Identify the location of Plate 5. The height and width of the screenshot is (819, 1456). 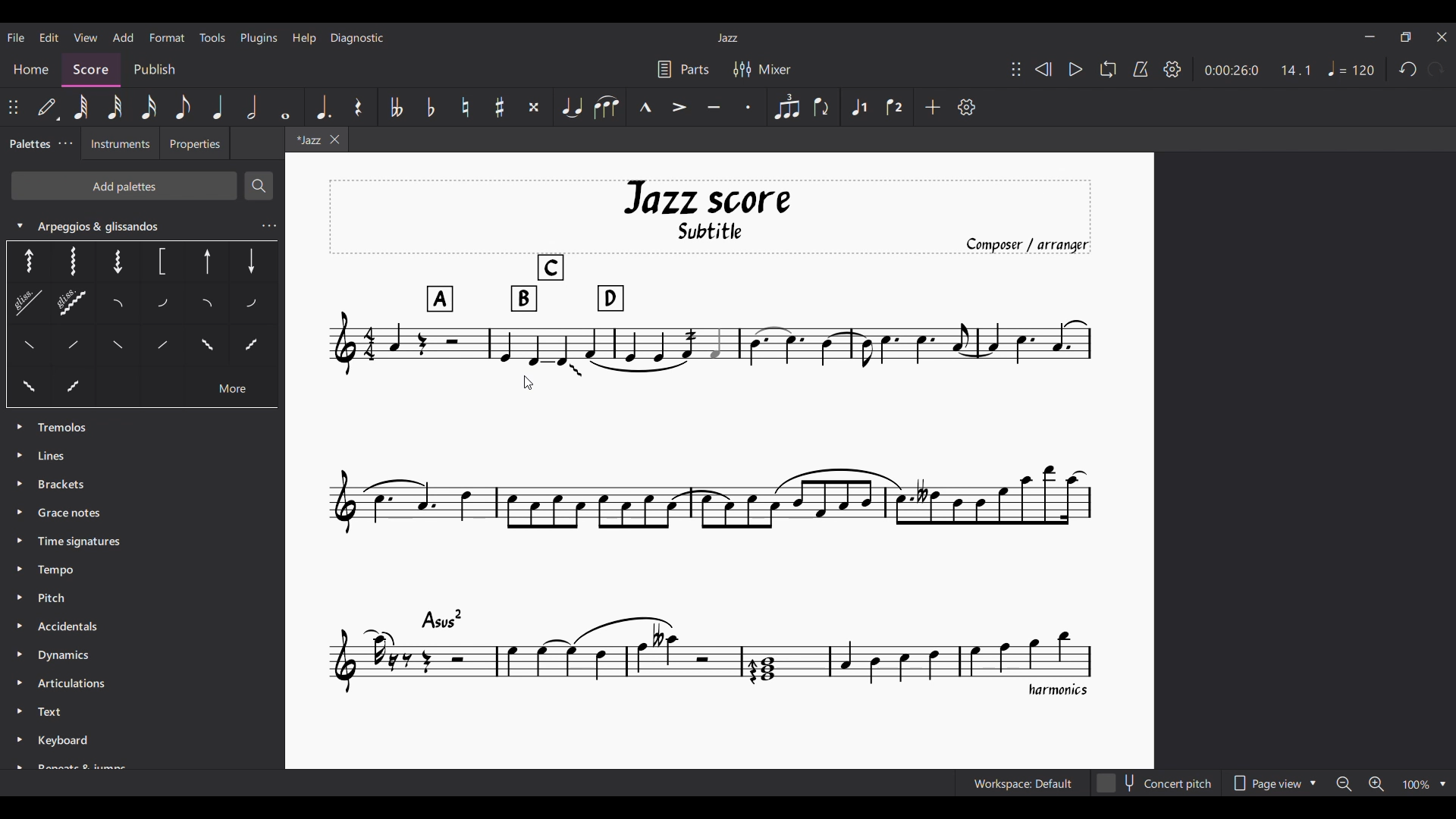
(208, 263).